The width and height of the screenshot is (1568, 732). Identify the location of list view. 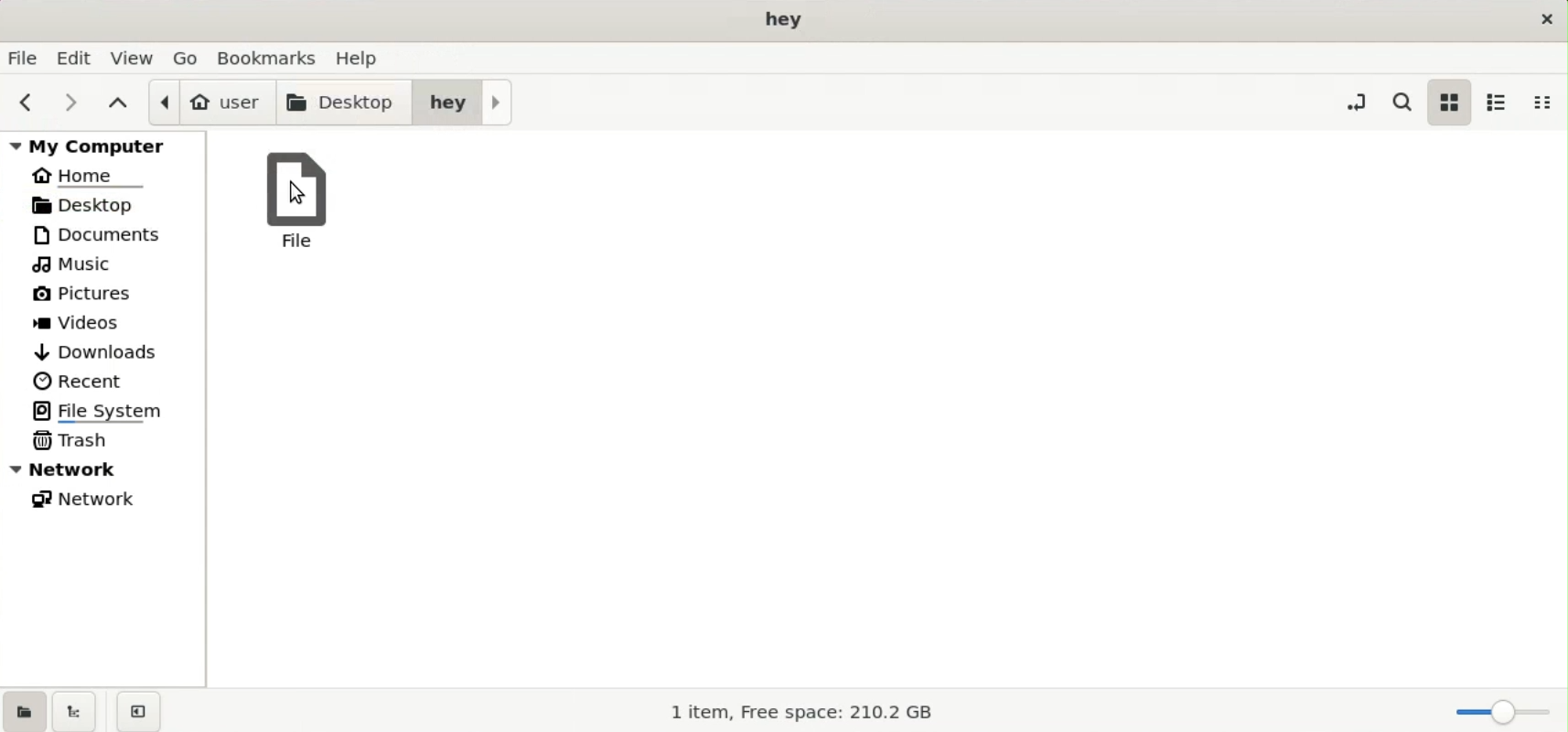
(1497, 102).